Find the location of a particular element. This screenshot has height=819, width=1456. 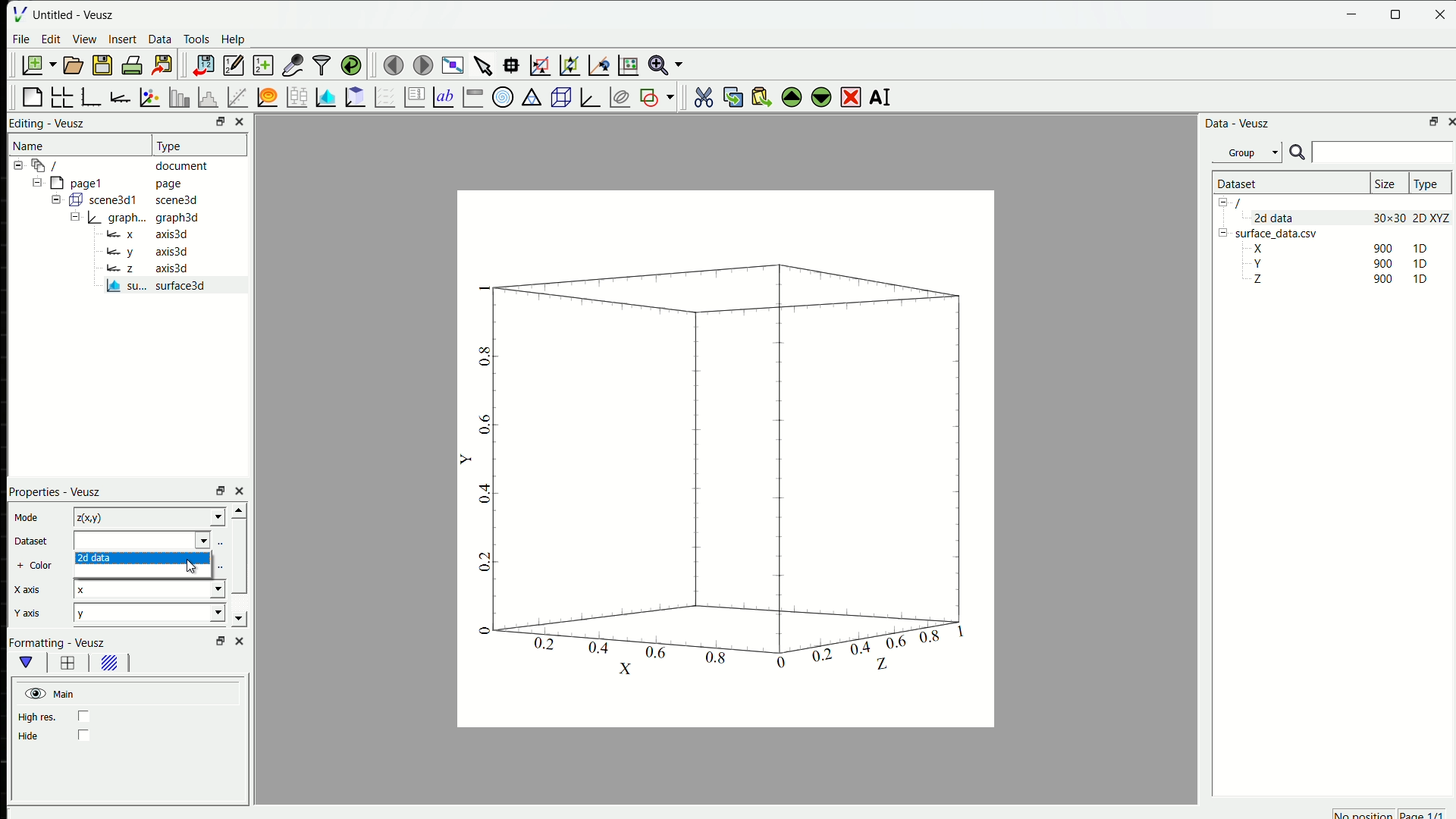

draw a rectangle to zoom graph axes is located at coordinates (541, 65).